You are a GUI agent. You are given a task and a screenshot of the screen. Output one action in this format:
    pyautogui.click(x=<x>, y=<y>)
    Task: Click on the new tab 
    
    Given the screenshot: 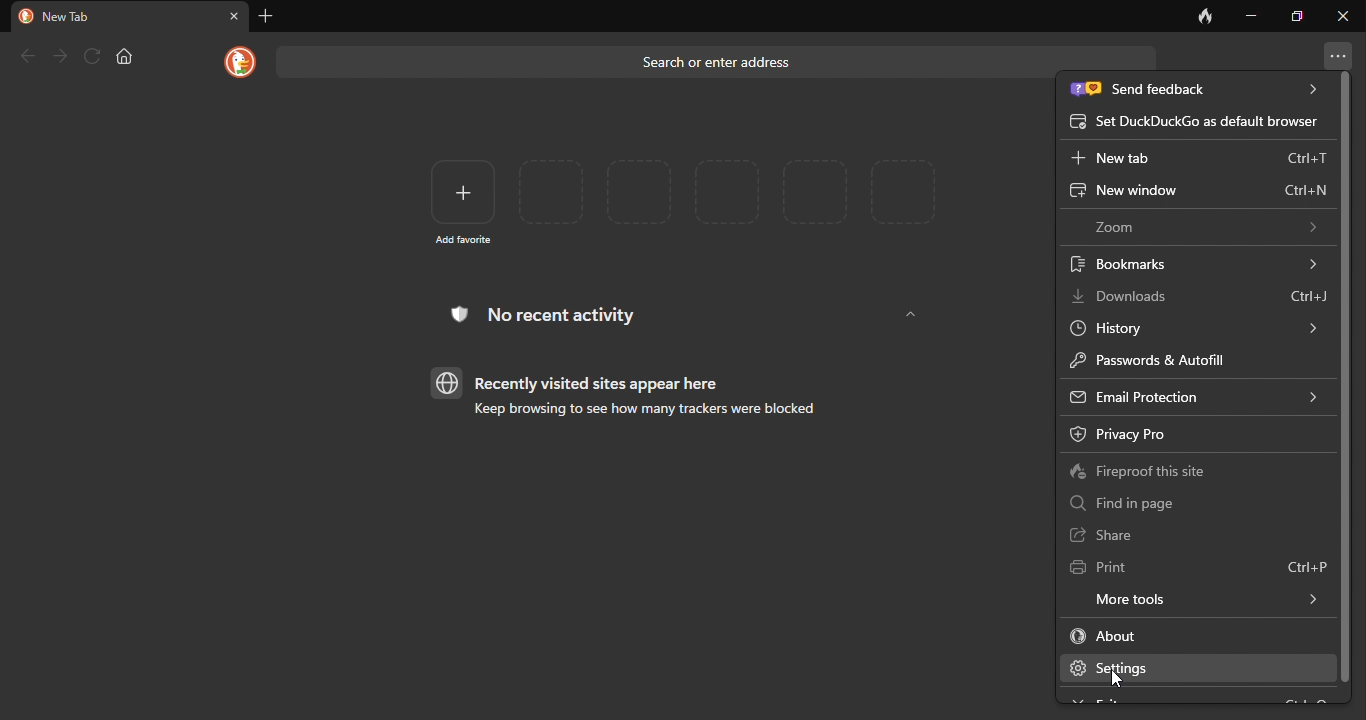 What is the action you would take?
    pyautogui.click(x=73, y=17)
    